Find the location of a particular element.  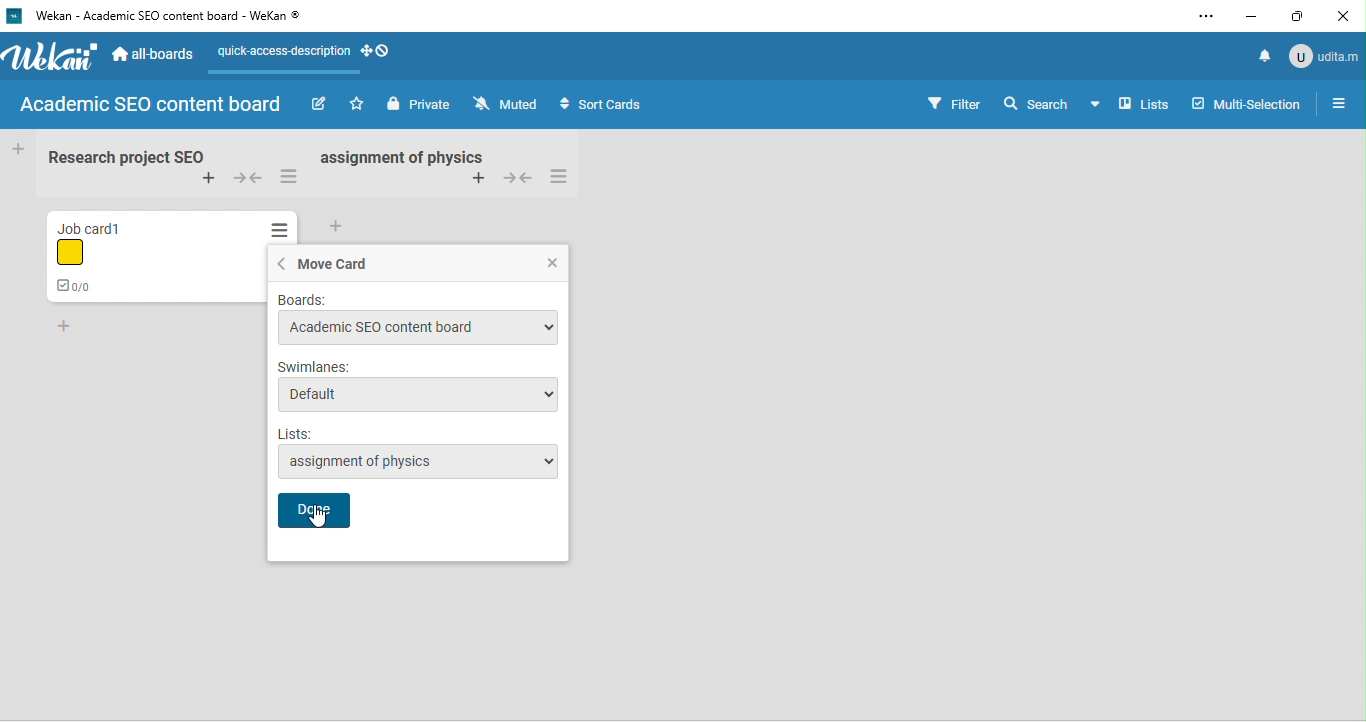

sort cards is located at coordinates (630, 105).